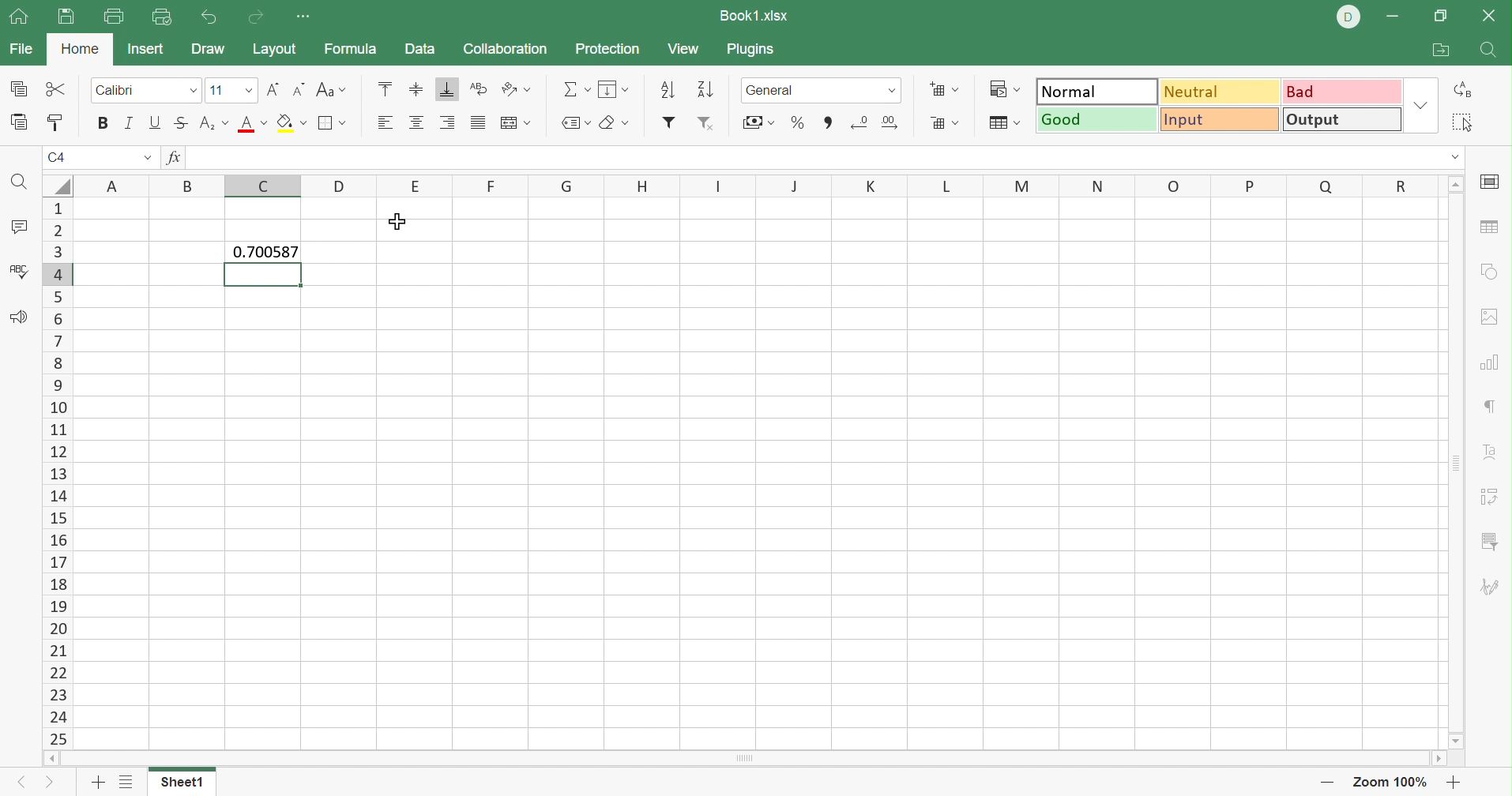 This screenshot has width=1512, height=796. Describe the element at coordinates (1488, 272) in the screenshot. I see `Shape settings` at that location.